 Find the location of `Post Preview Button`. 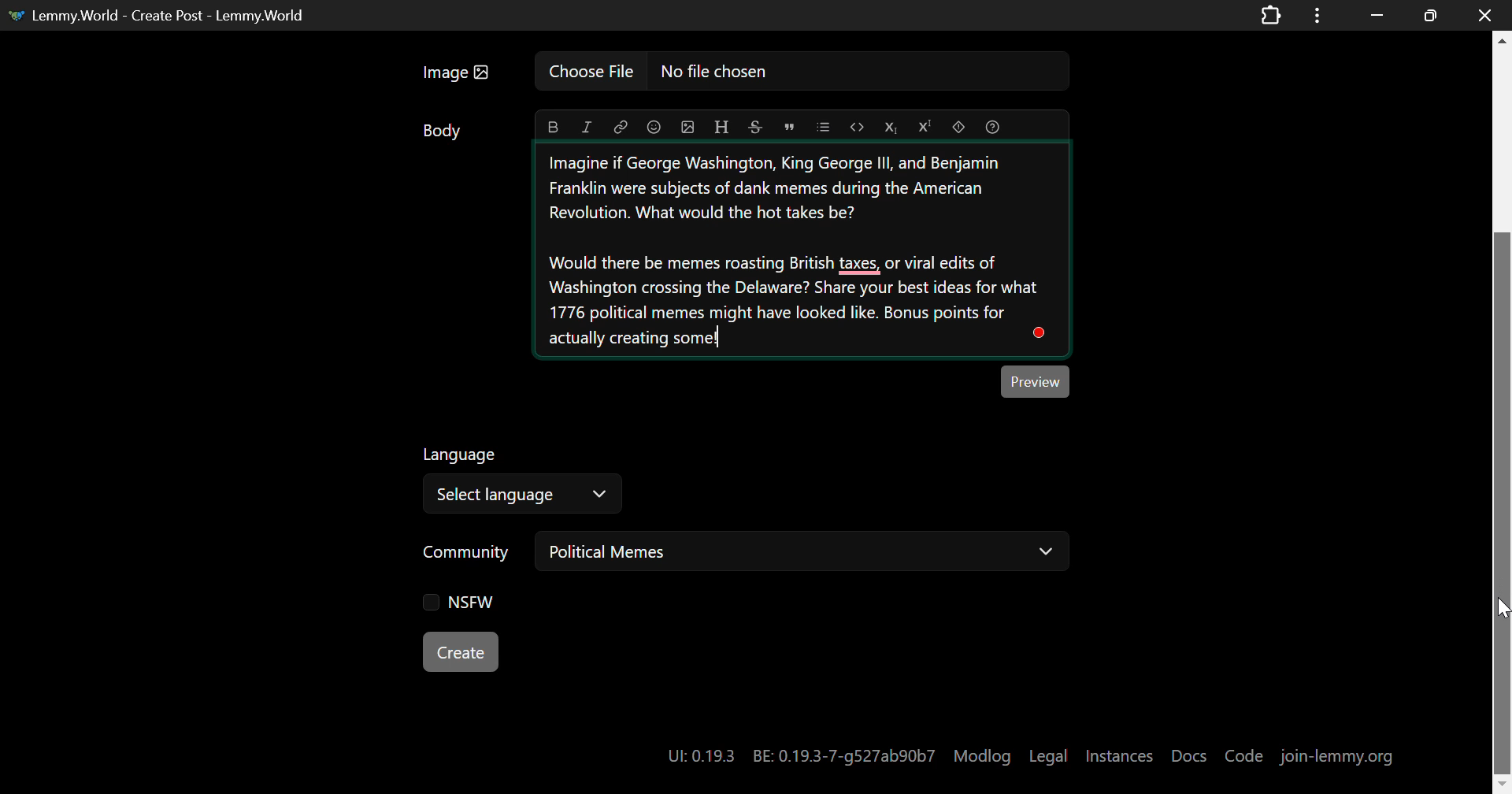

Post Preview Button is located at coordinates (1038, 383).